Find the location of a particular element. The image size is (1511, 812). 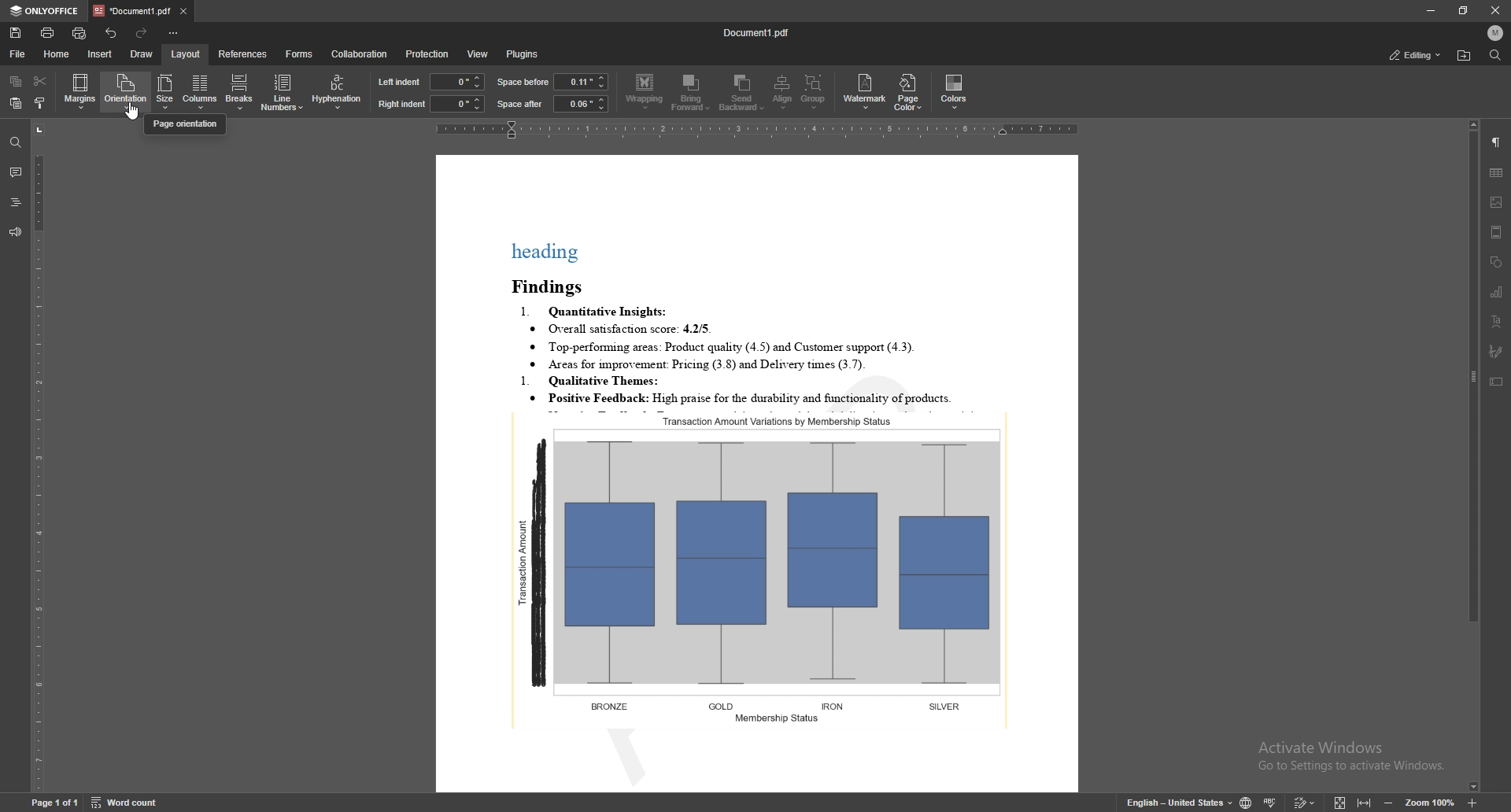

bring forward is located at coordinates (690, 93).